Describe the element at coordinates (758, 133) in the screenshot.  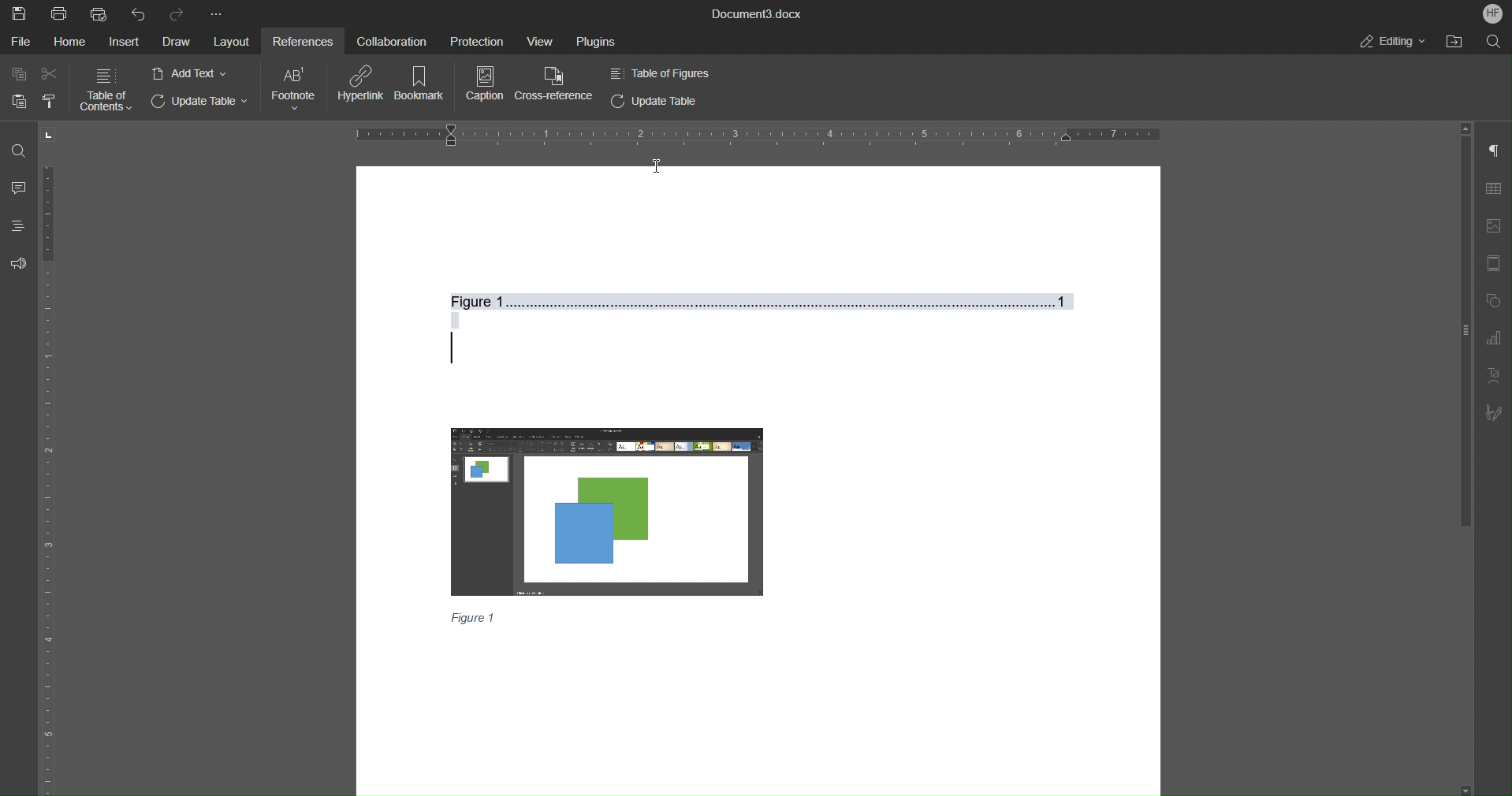
I see `Horizontal Ruler` at that location.